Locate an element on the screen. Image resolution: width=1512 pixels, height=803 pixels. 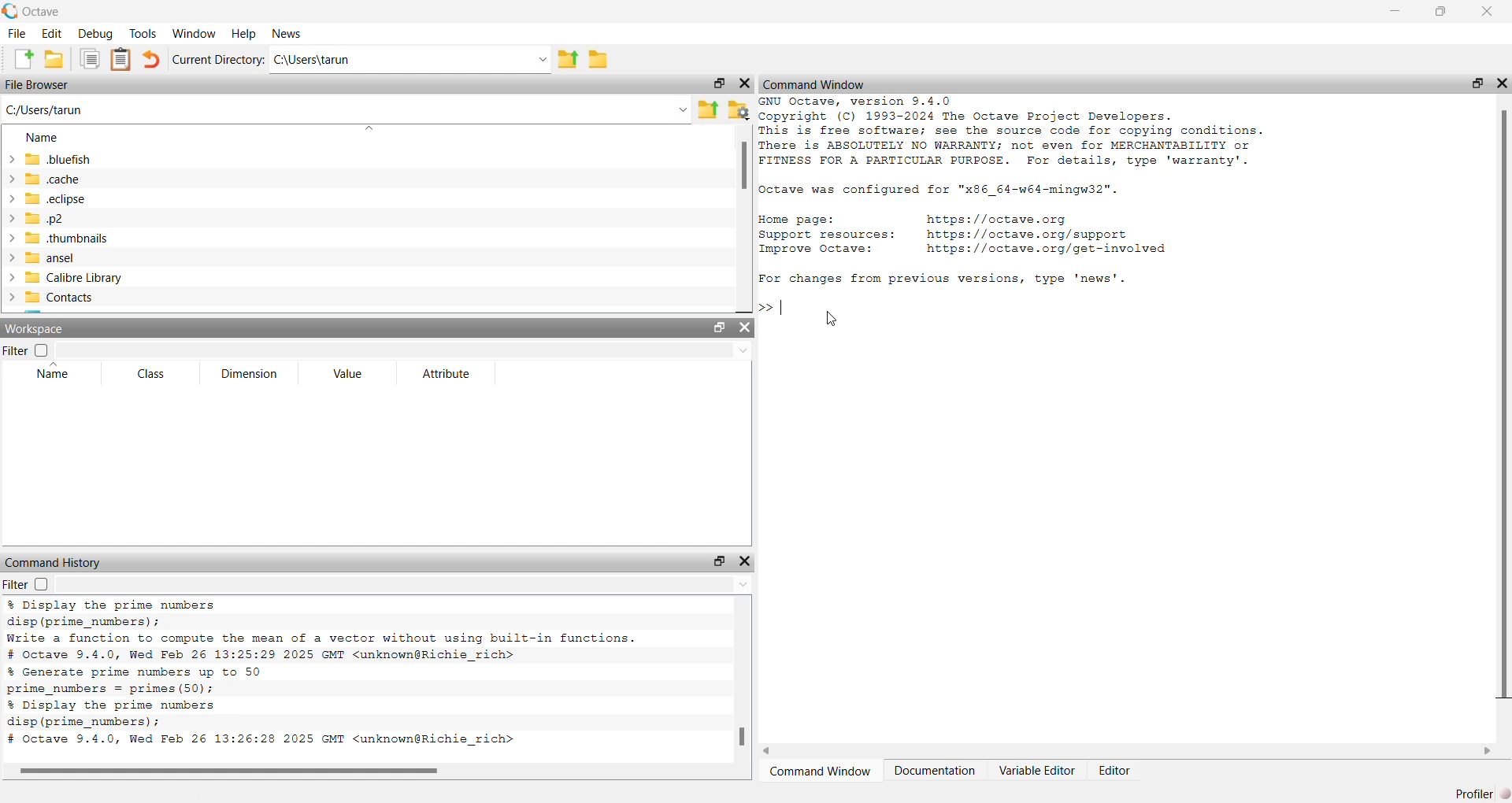
share folder is located at coordinates (567, 60).